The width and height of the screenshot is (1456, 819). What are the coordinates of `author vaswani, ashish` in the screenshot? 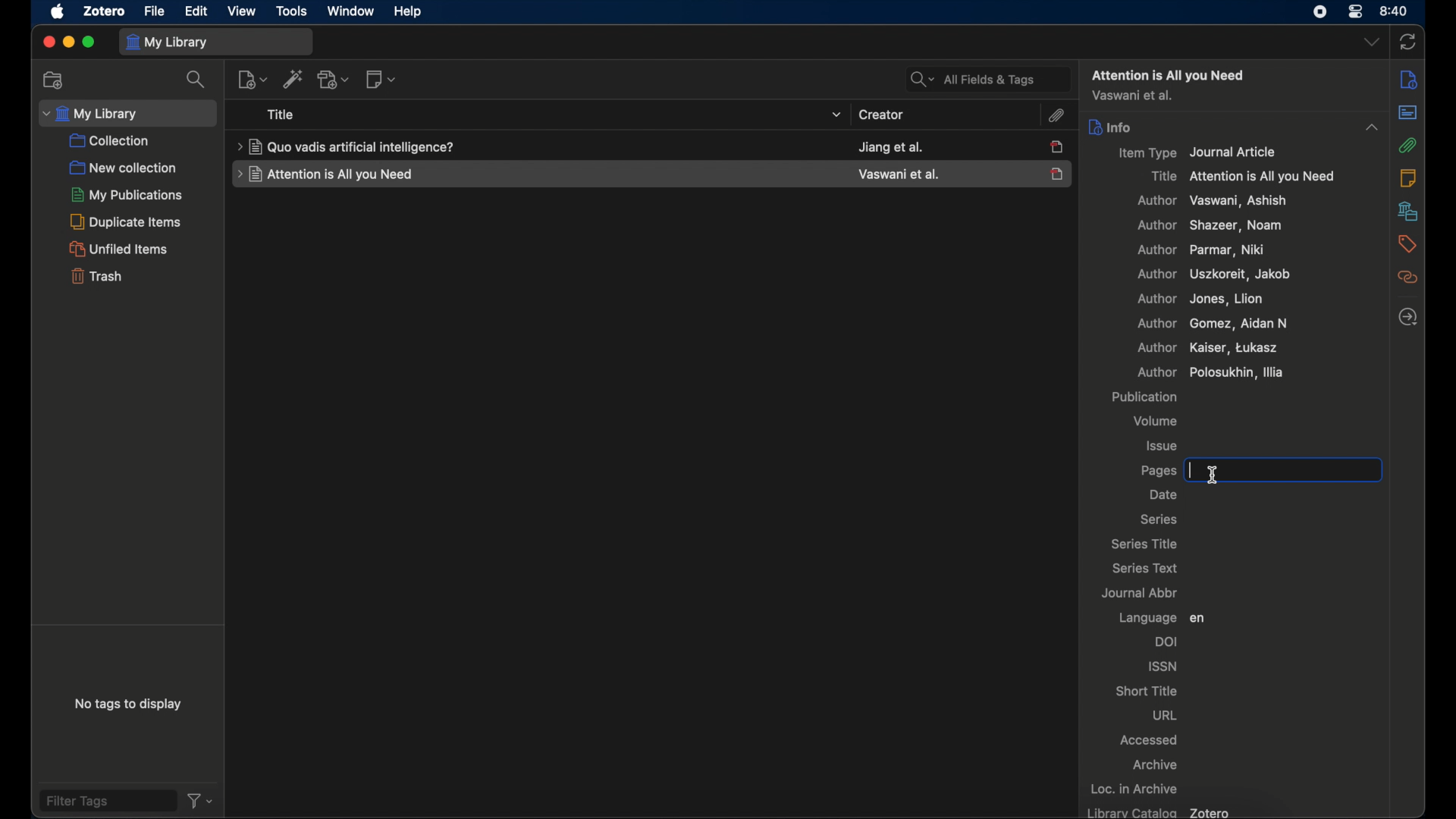 It's located at (1212, 201).